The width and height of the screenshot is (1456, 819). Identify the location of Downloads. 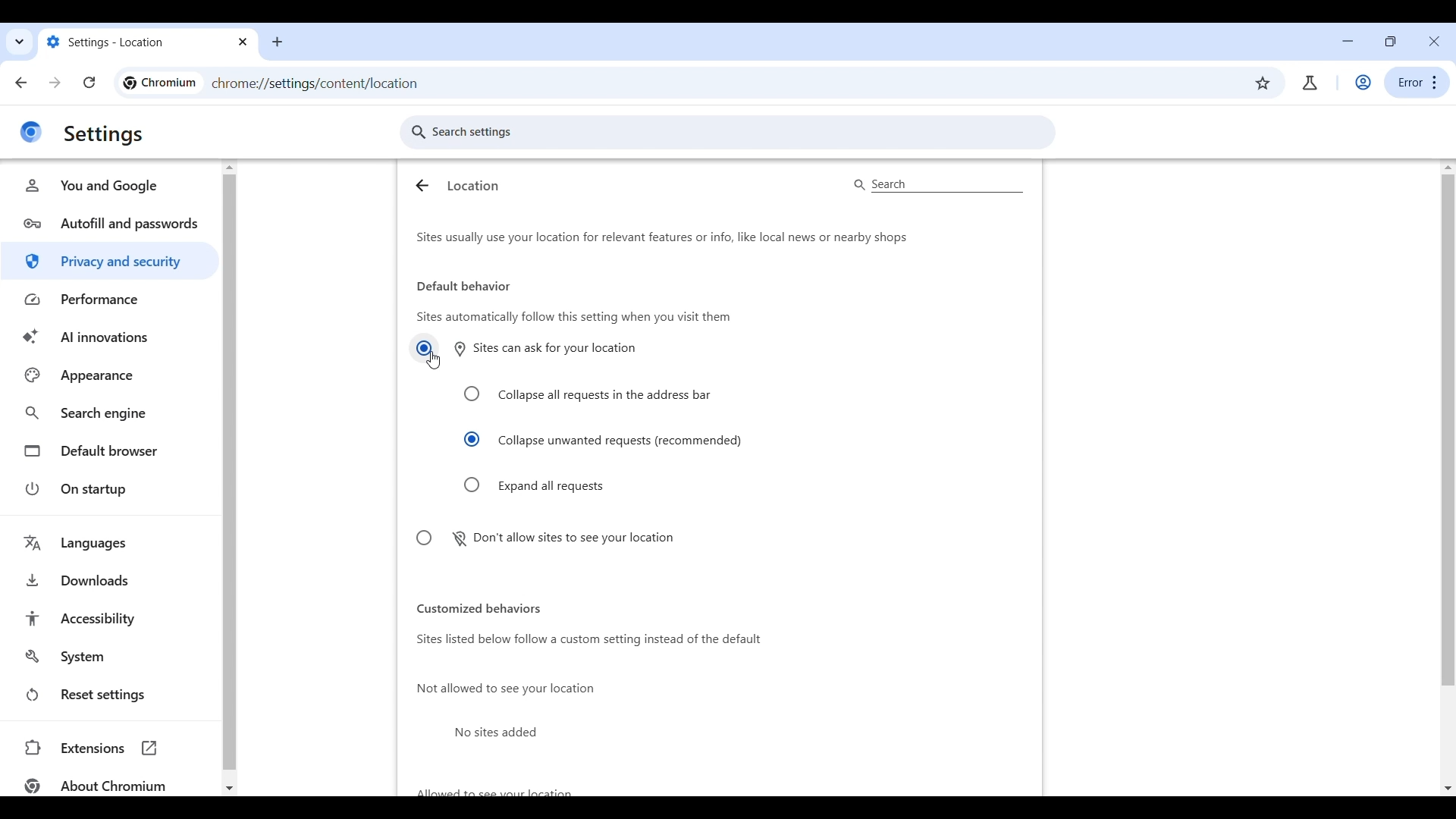
(108, 579).